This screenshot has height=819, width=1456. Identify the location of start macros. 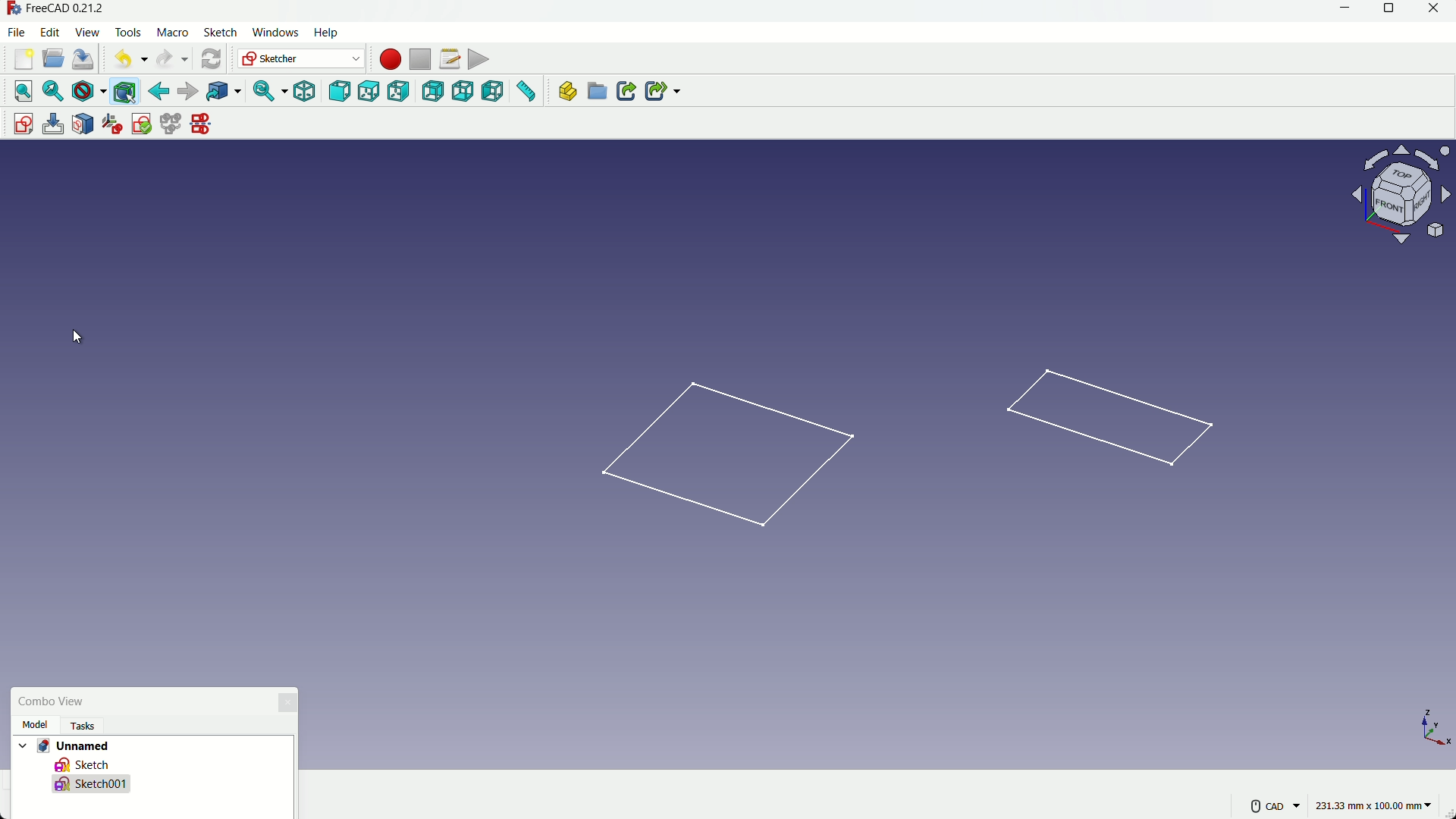
(389, 59).